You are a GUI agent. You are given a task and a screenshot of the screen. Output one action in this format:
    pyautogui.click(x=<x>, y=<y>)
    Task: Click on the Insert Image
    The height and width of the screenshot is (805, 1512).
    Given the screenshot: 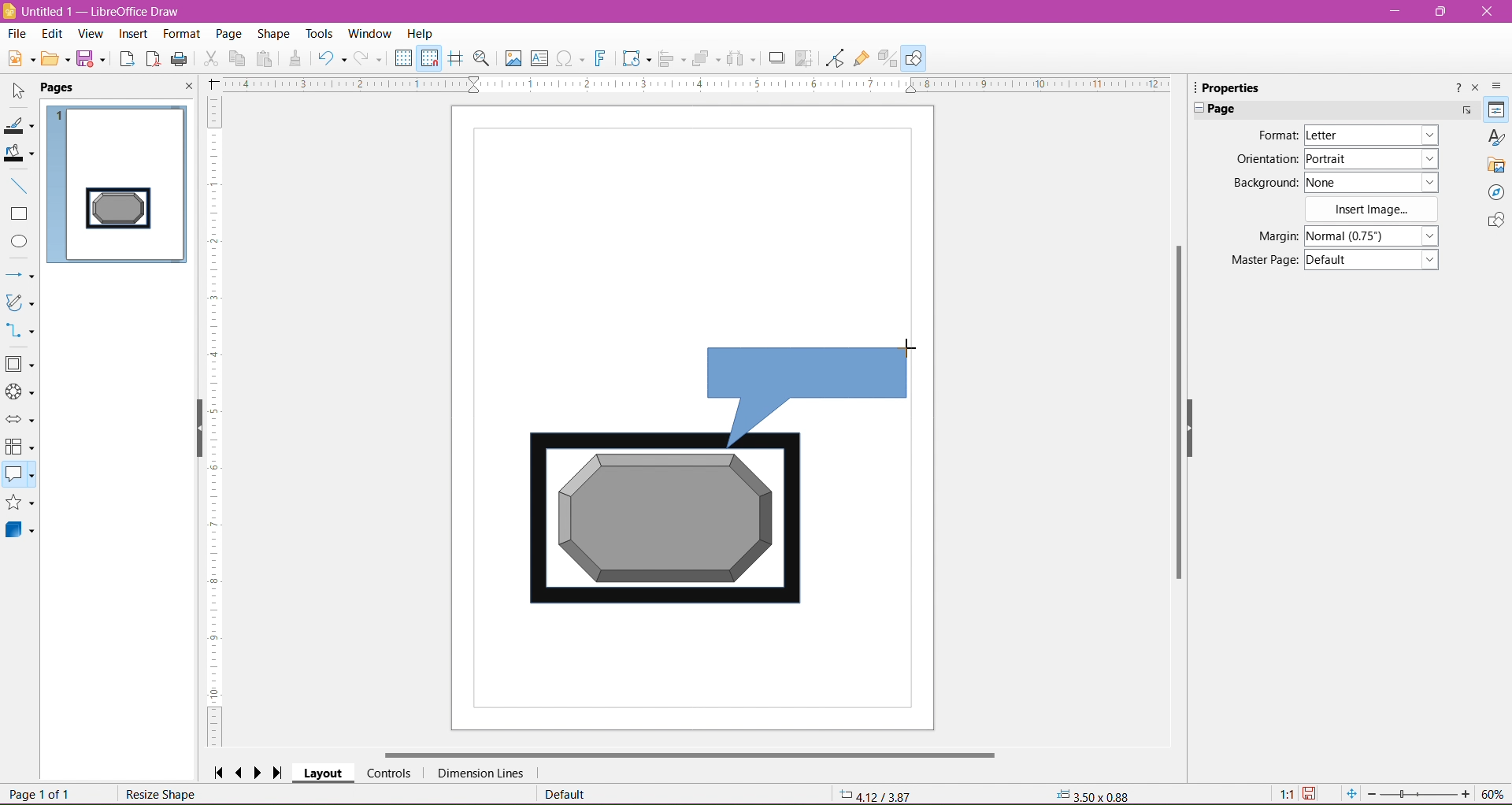 What is the action you would take?
    pyautogui.click(x=1373, y=210)
    